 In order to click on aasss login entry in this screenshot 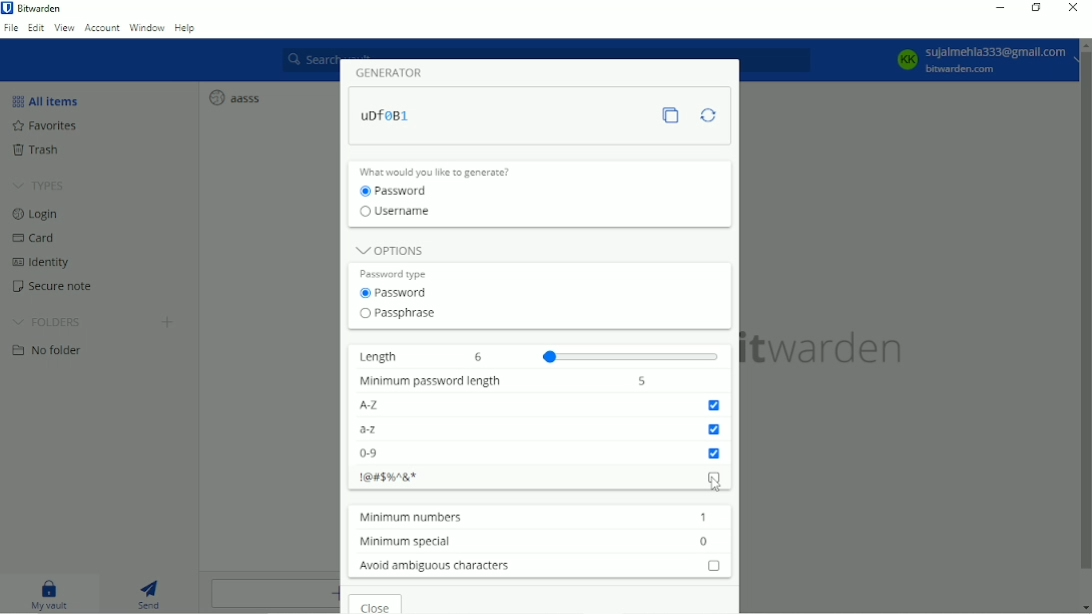, I will do `click(238, 97)`.